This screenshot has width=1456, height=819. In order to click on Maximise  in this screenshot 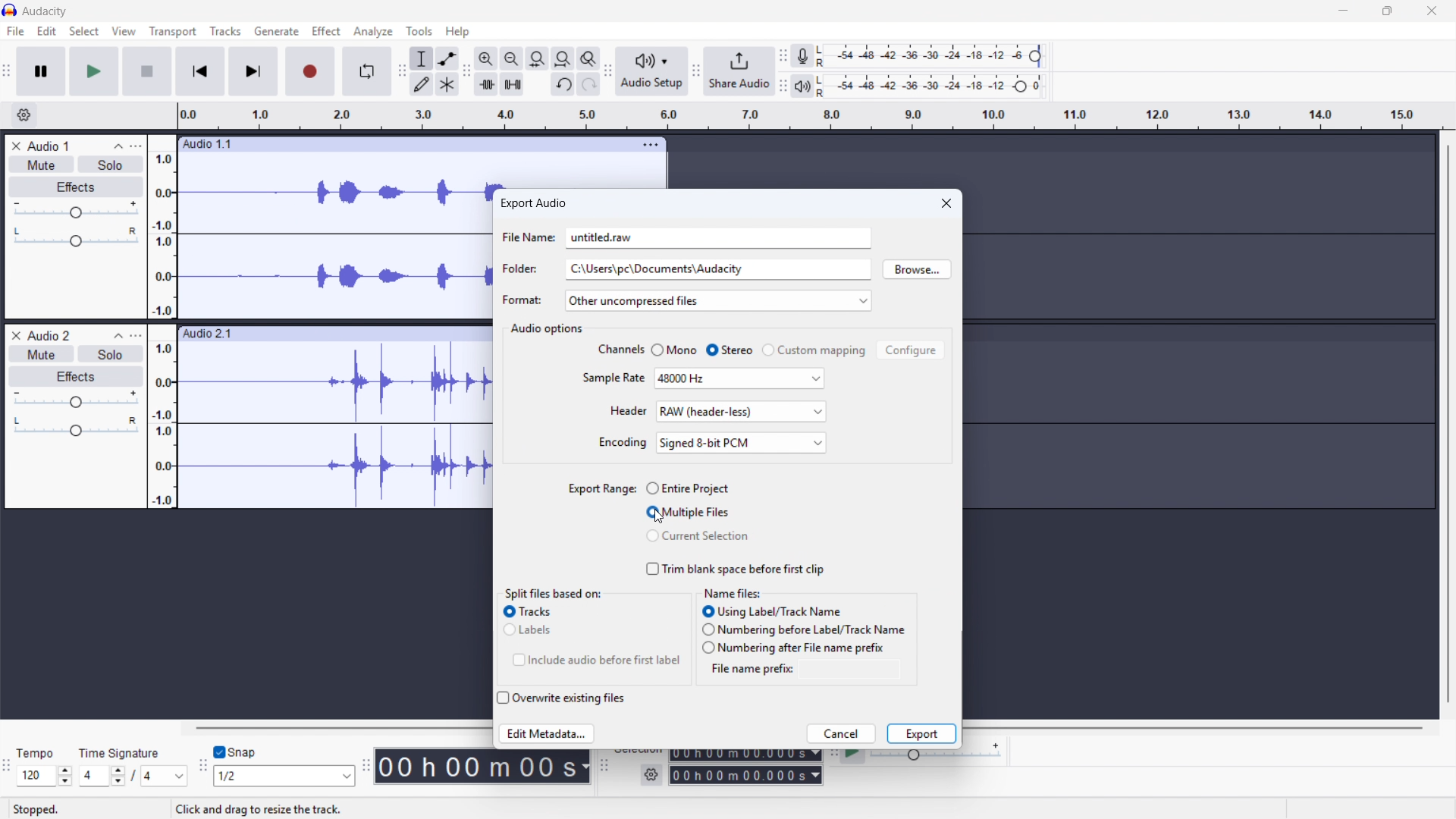, I will do `click(1385, 11)`.